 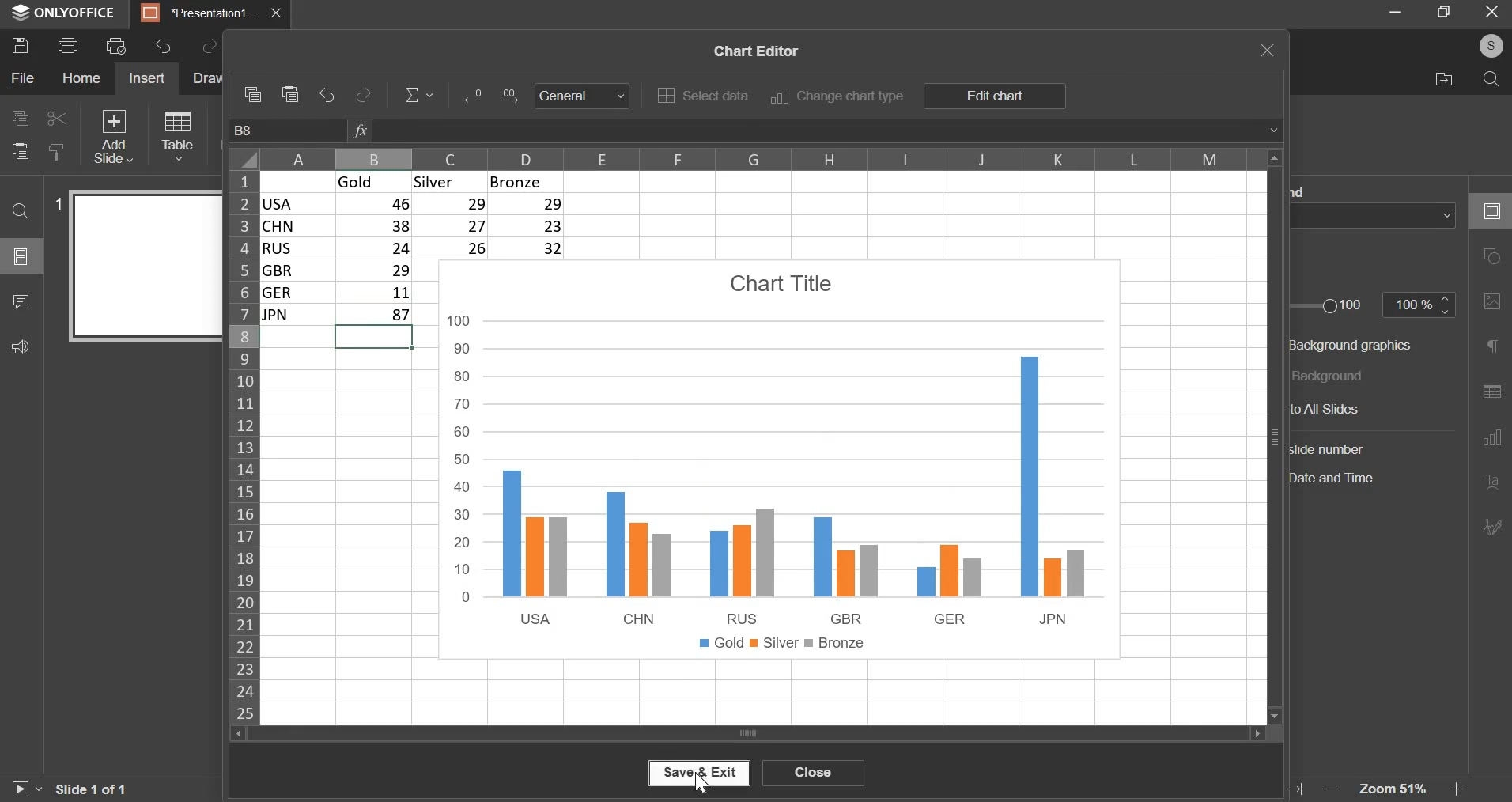 What do you see at coordinates (1355, 344) in the screenshot?
I see `background graphics` at bounding box center [1355, 344].